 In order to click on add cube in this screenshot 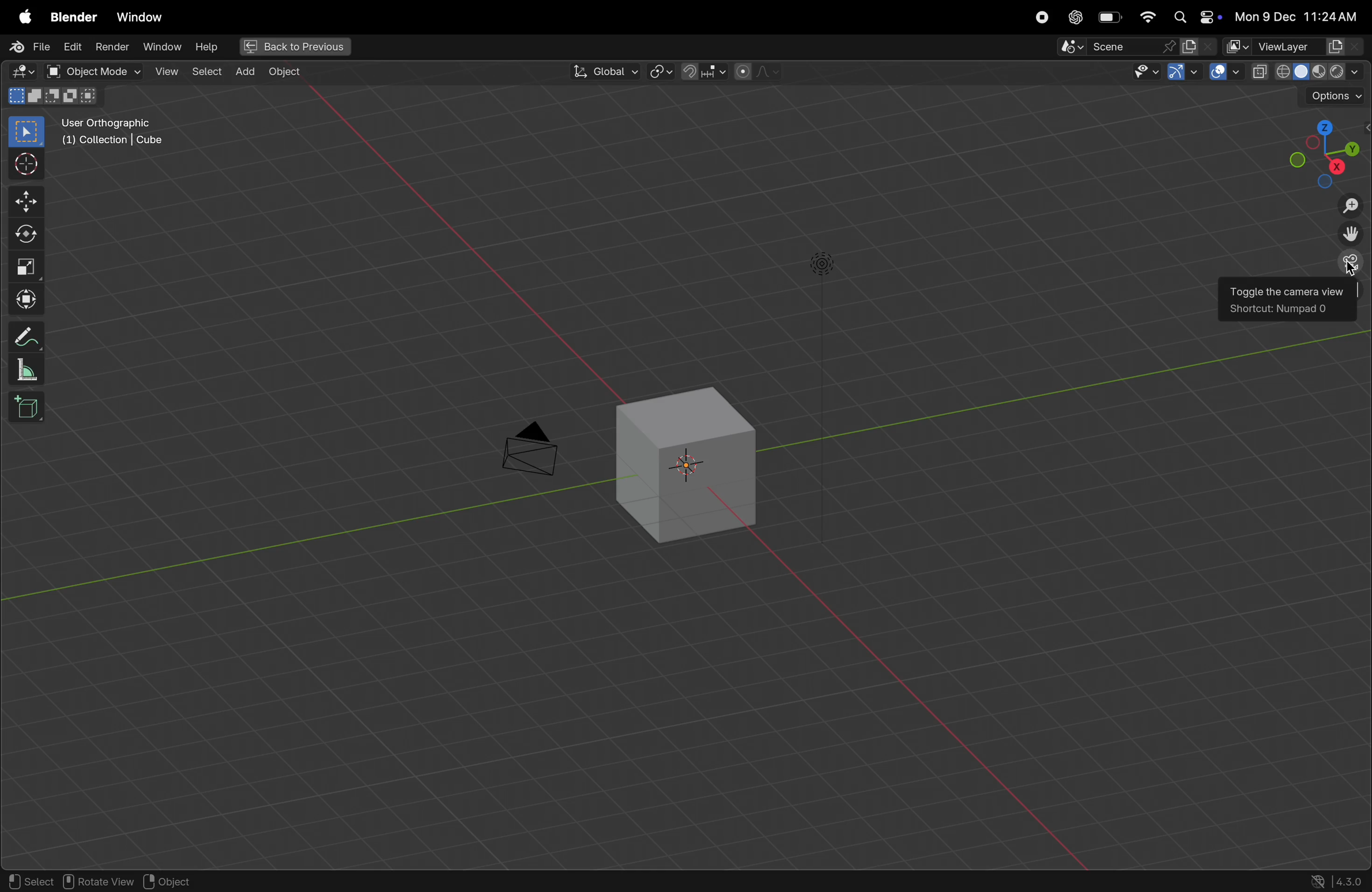, I will do `click(25, 409)`.